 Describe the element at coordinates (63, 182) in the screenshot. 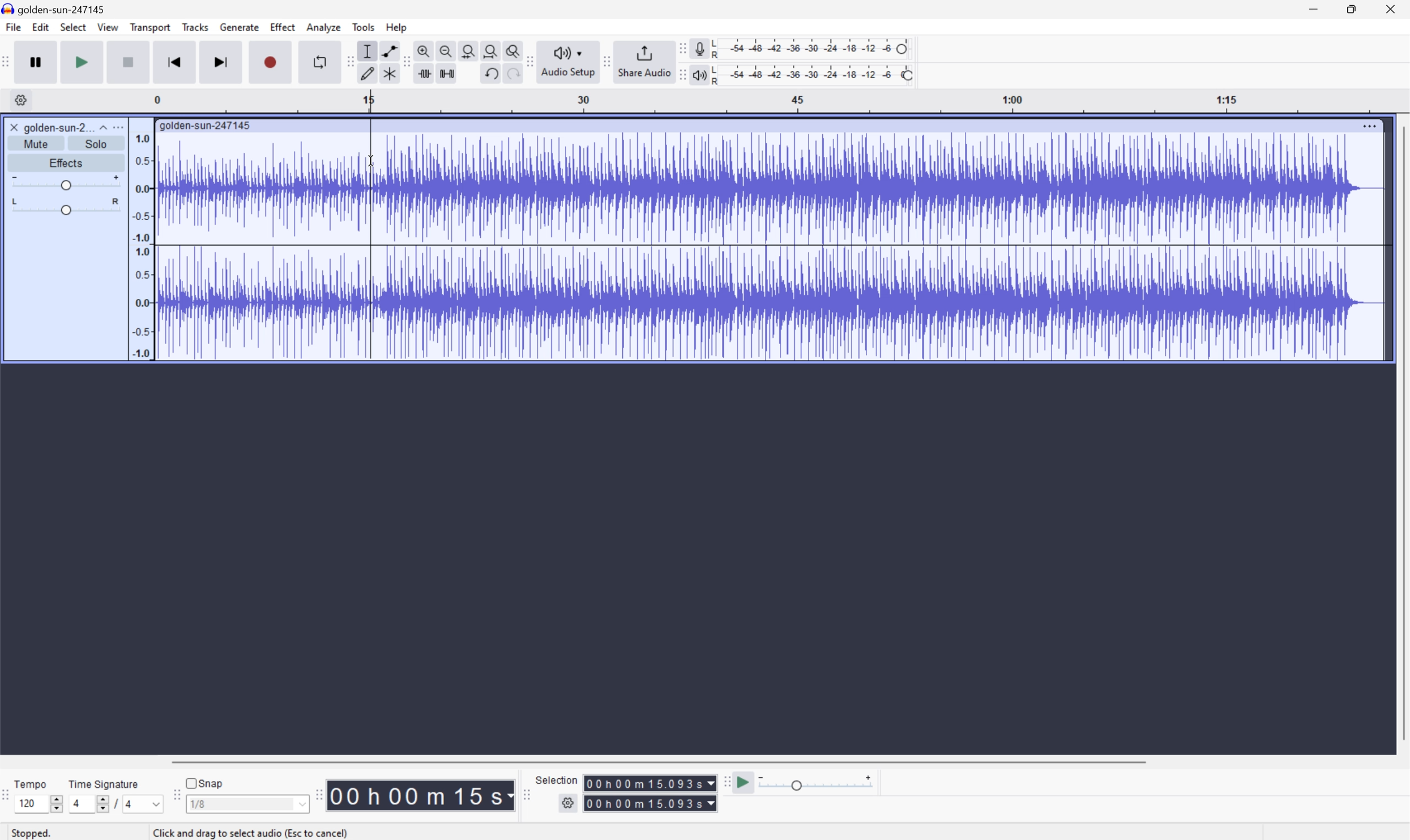

I see `Slider` at that location.